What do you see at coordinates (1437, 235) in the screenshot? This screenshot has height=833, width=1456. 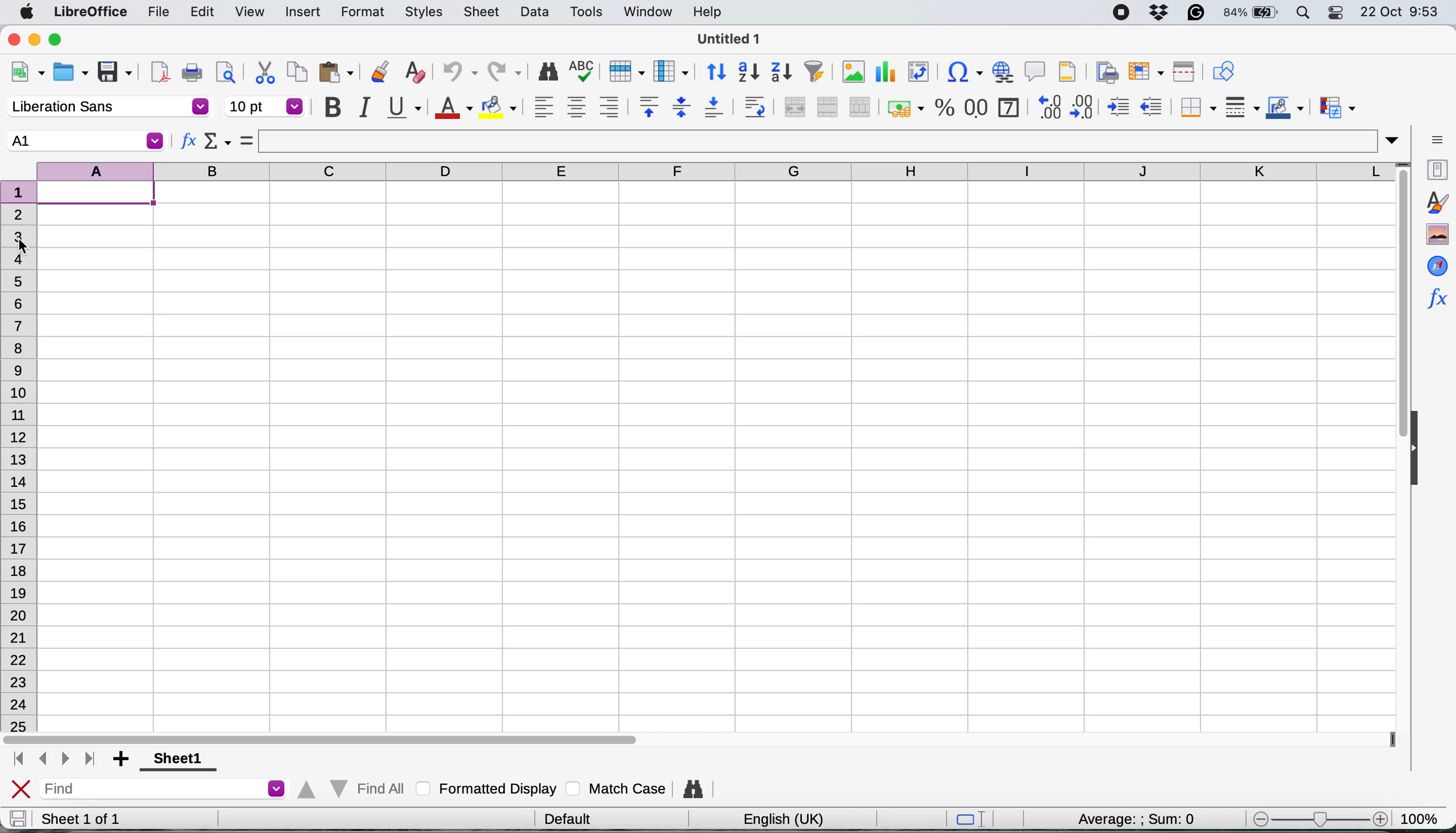 I see `gallery` at bounding box center [1437, 235].